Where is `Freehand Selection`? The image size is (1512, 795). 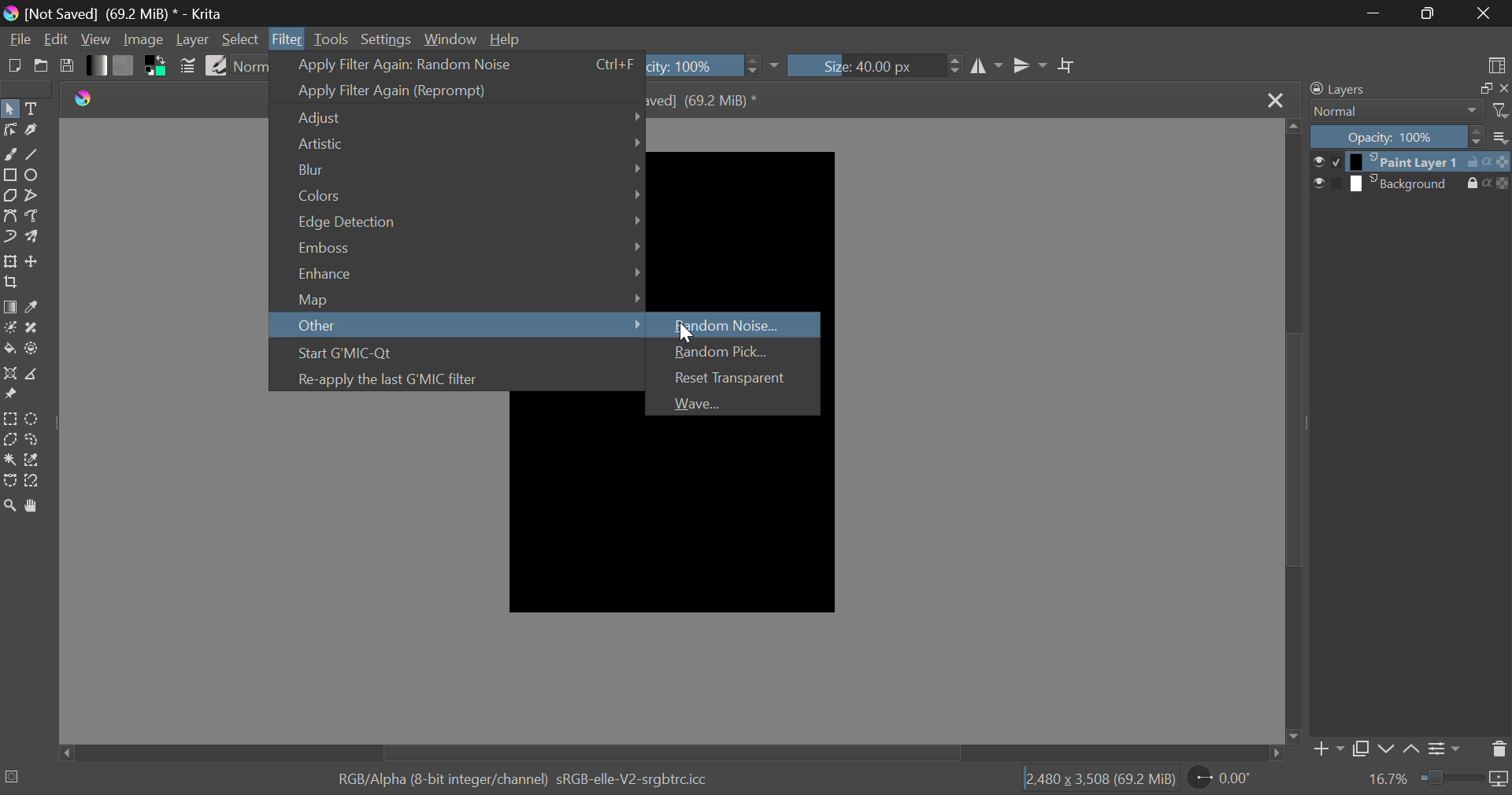
Freehand Selection is located at coordinates (34, 441).